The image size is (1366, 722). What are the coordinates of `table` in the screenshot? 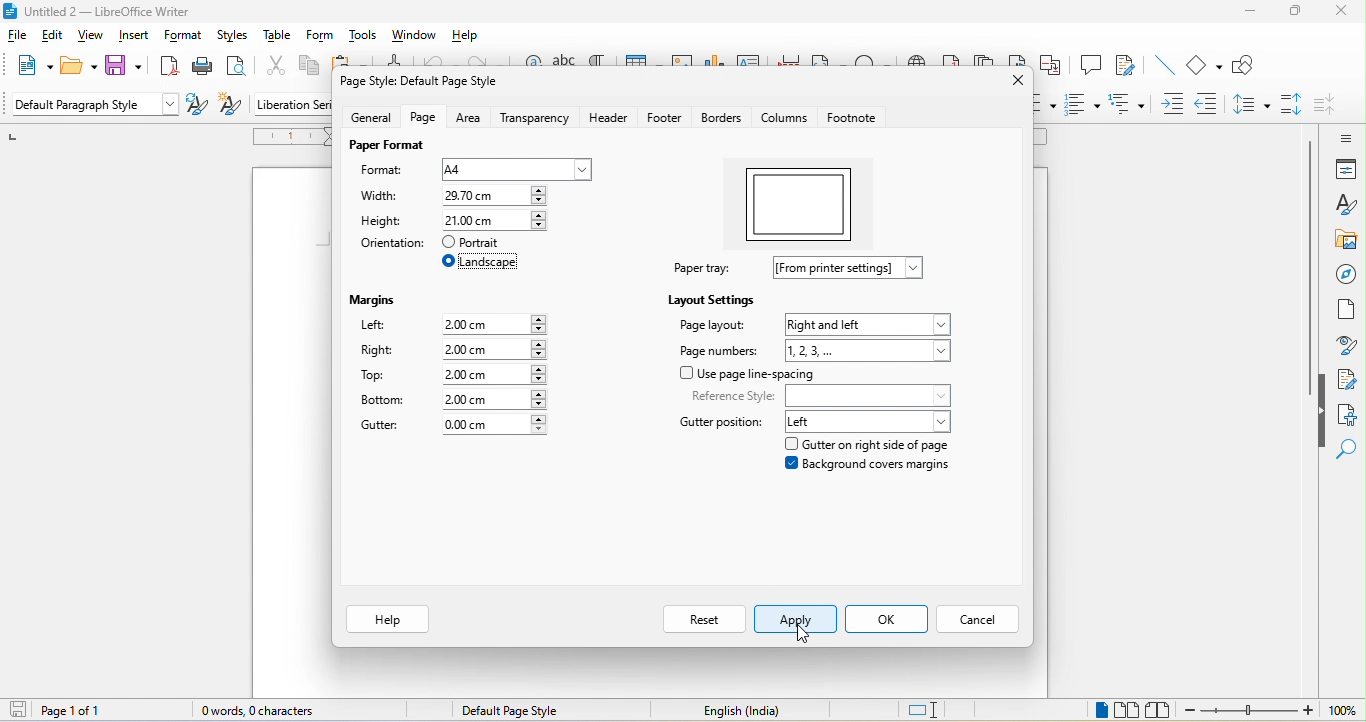 It's located at (280, 37).